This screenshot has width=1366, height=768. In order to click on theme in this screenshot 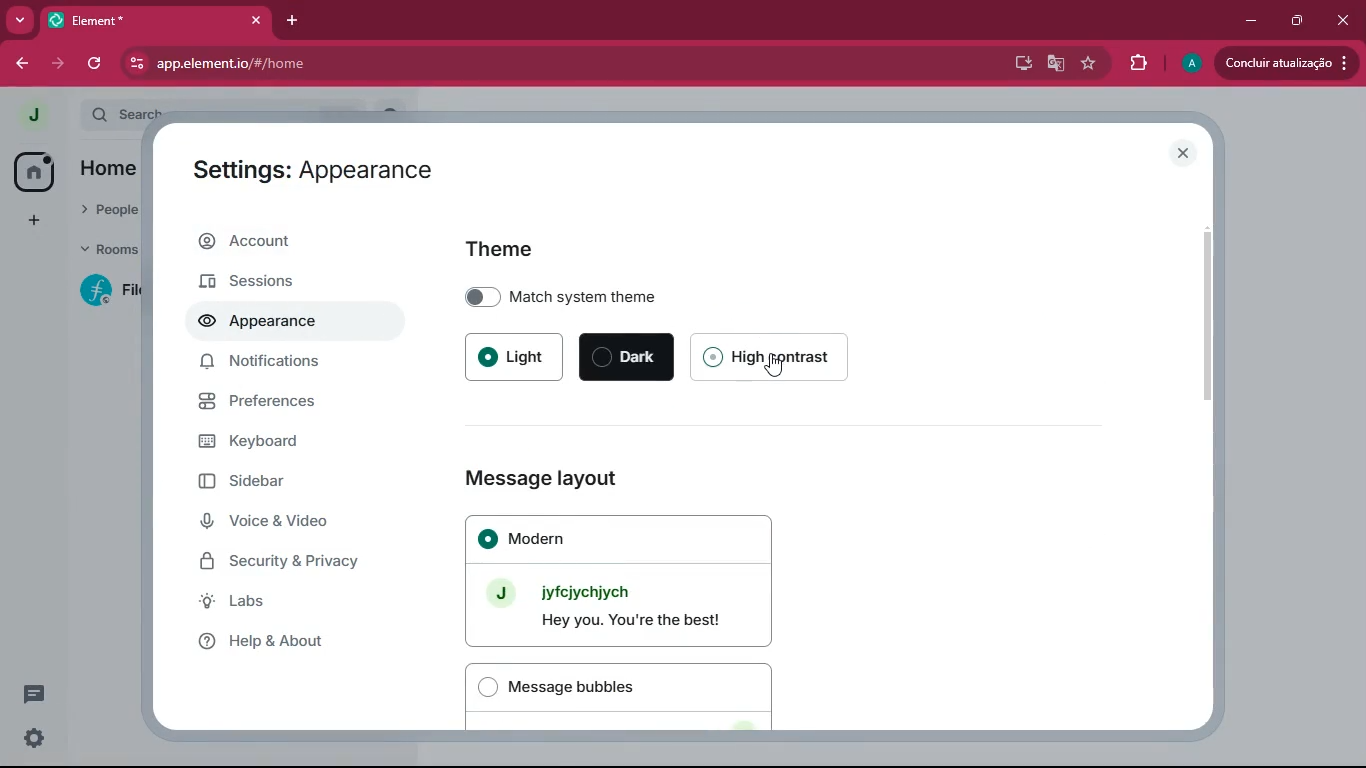, I will do `click(507, 247)`.